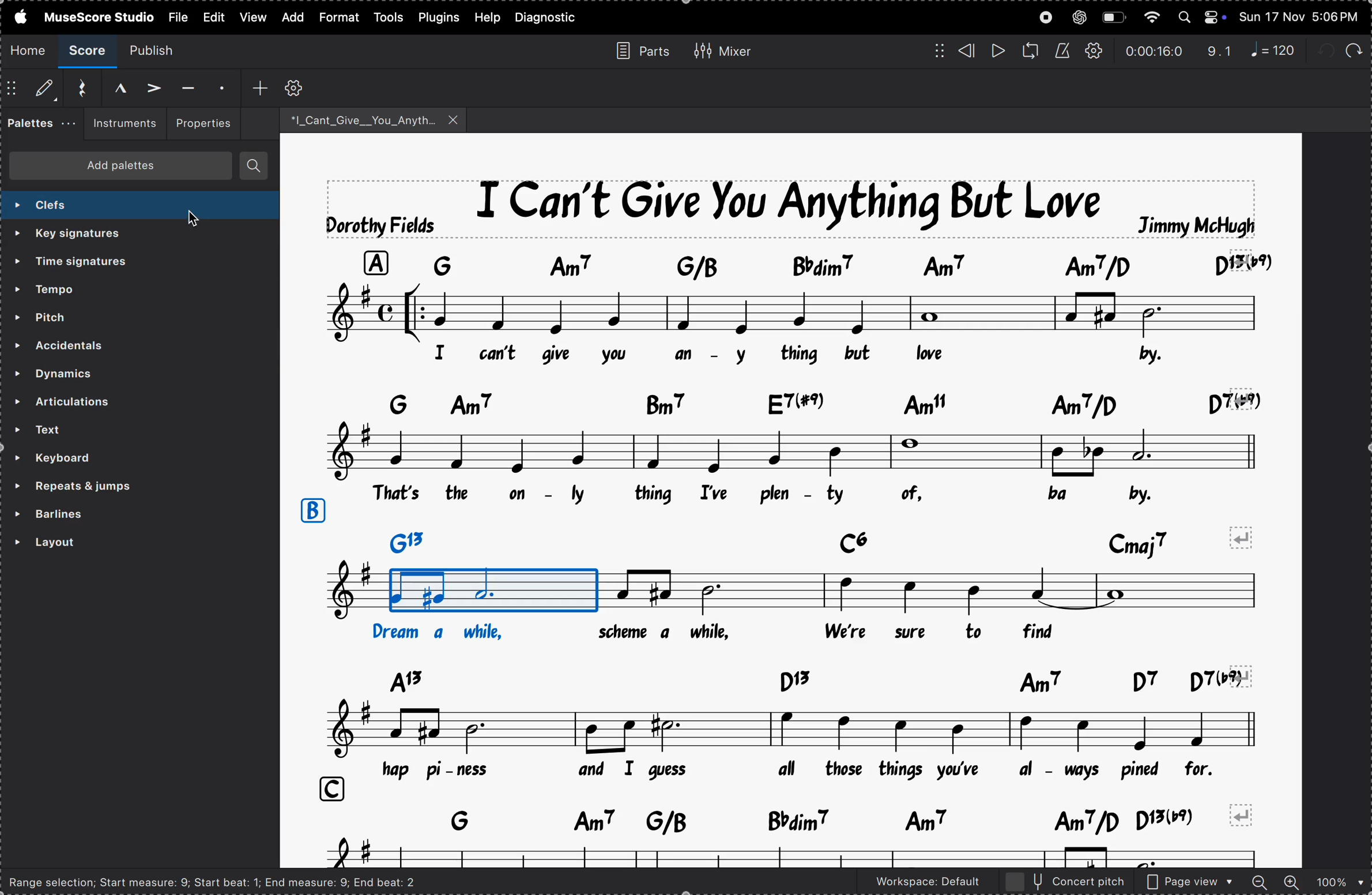 The height and width of the screenshot is (895, 1372). I want to click on reset, so click(77, 88).